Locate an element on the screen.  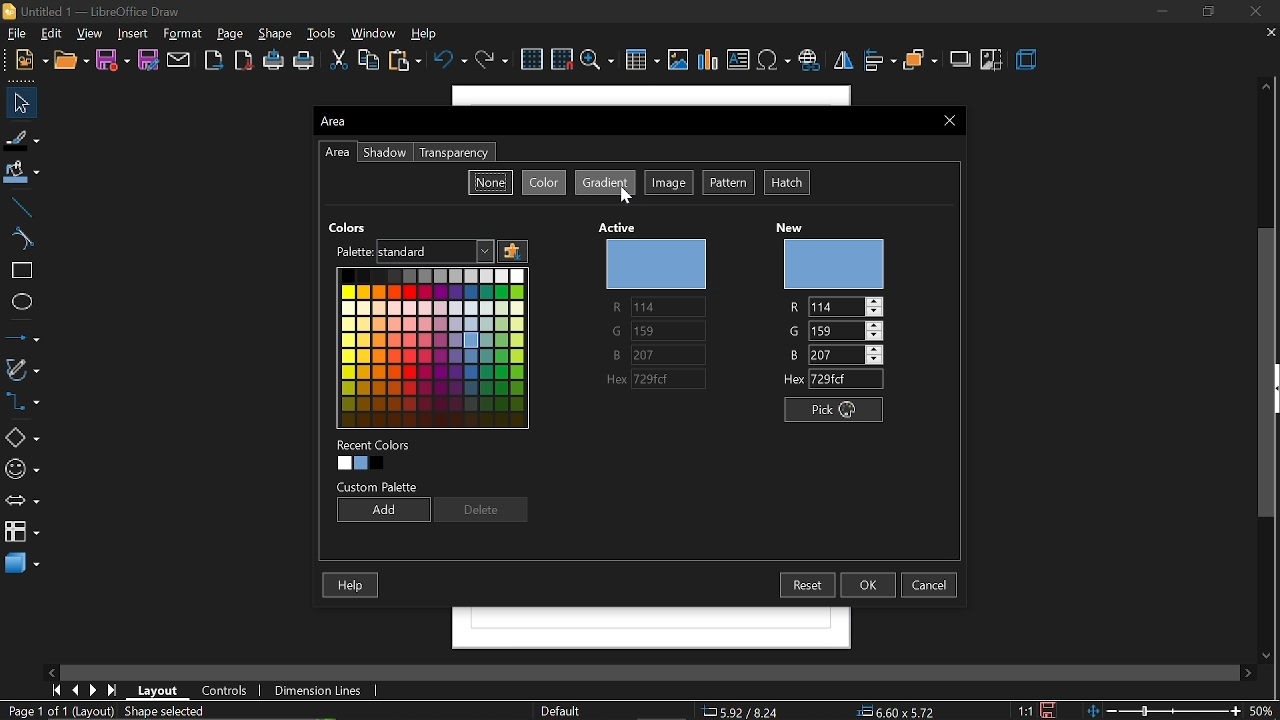
3d effect is located at coordinates (1028, 62).